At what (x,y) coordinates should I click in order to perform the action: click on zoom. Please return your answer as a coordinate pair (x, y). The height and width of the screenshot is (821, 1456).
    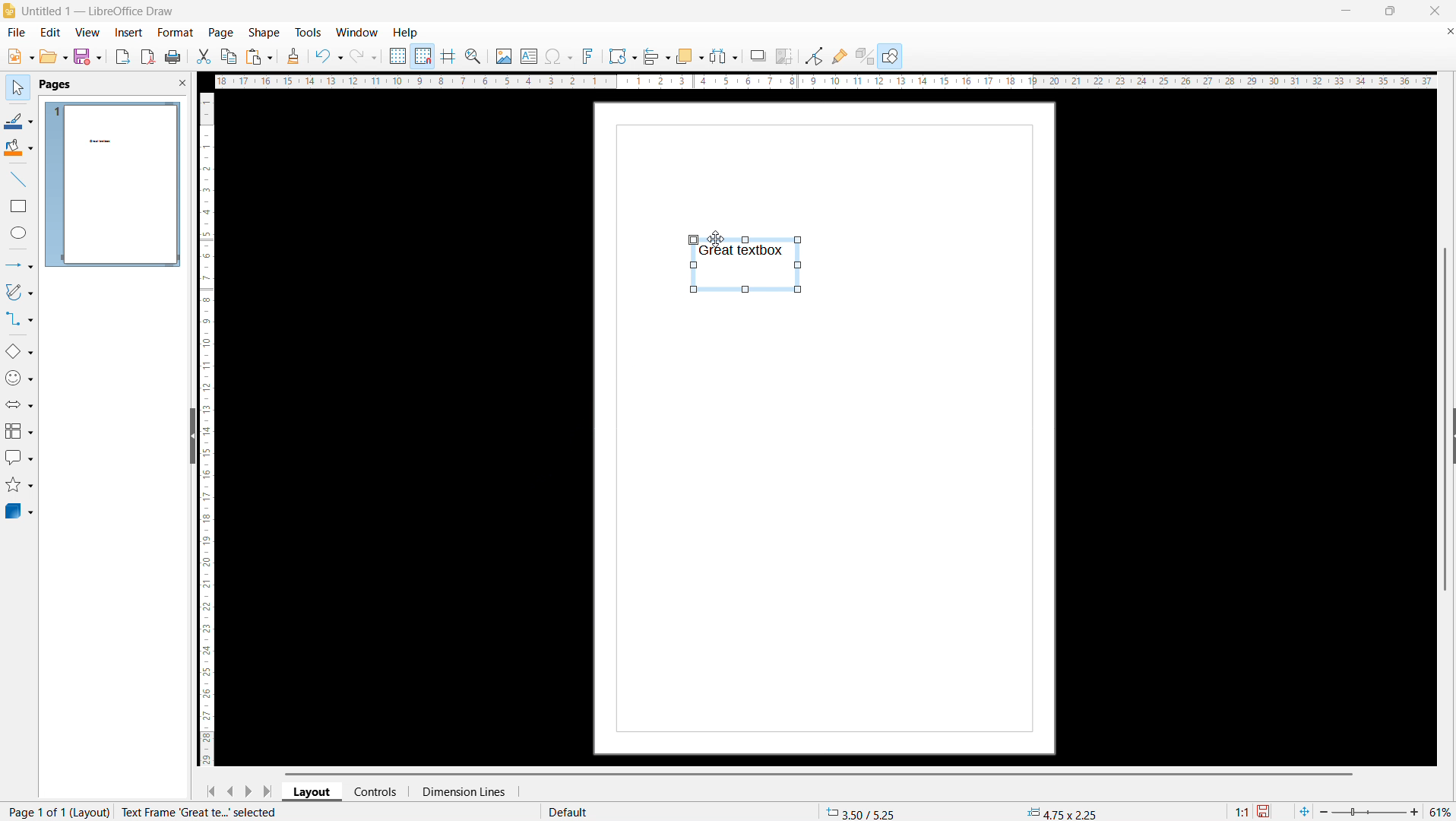
    Looking at the image, I should click on (474, 56).